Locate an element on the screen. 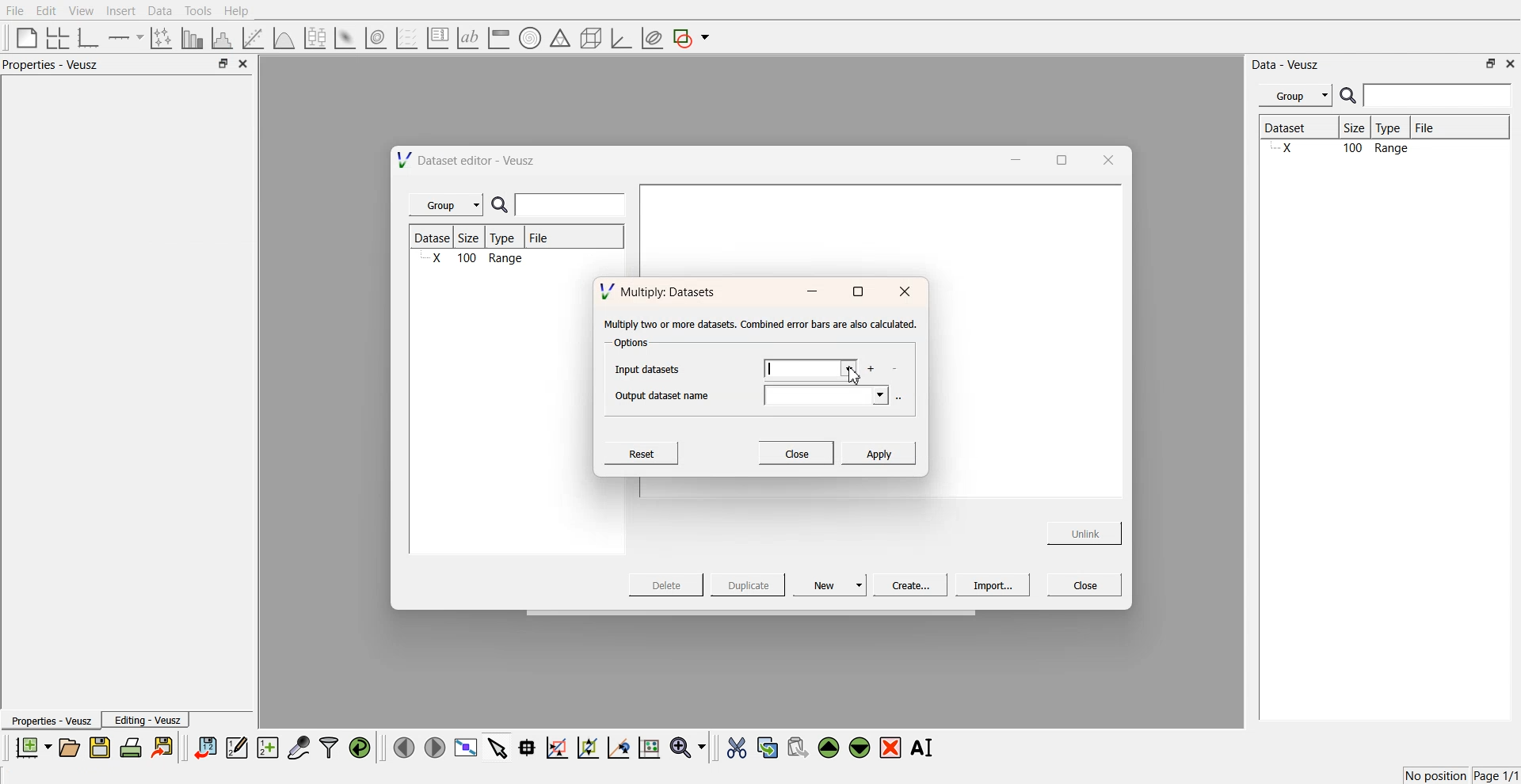 The width and height of the screenshot is (1521, 784). Type is located at coordinates (1393, 128).